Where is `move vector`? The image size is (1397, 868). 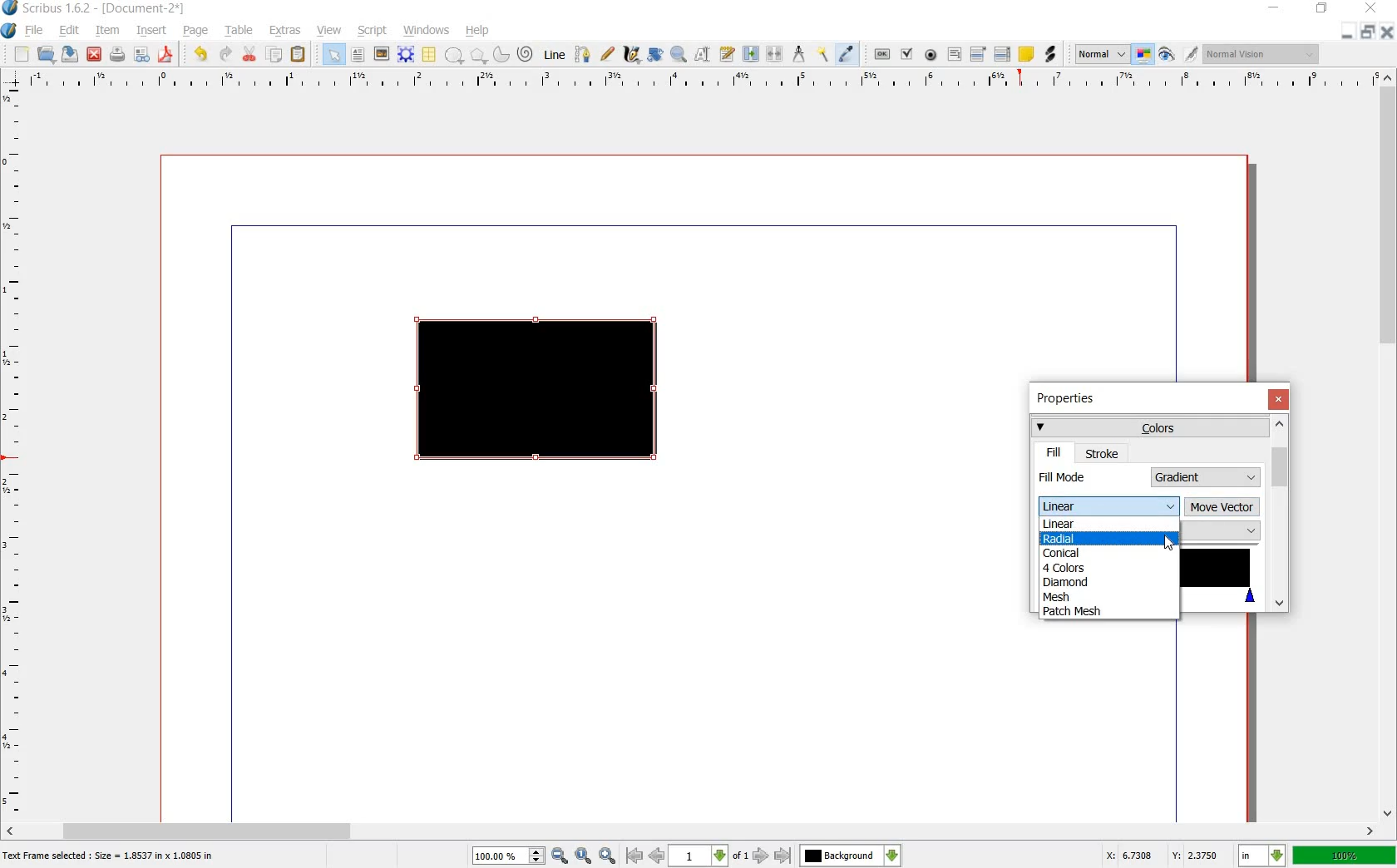 move vector is located at coordinates (1222, 508).